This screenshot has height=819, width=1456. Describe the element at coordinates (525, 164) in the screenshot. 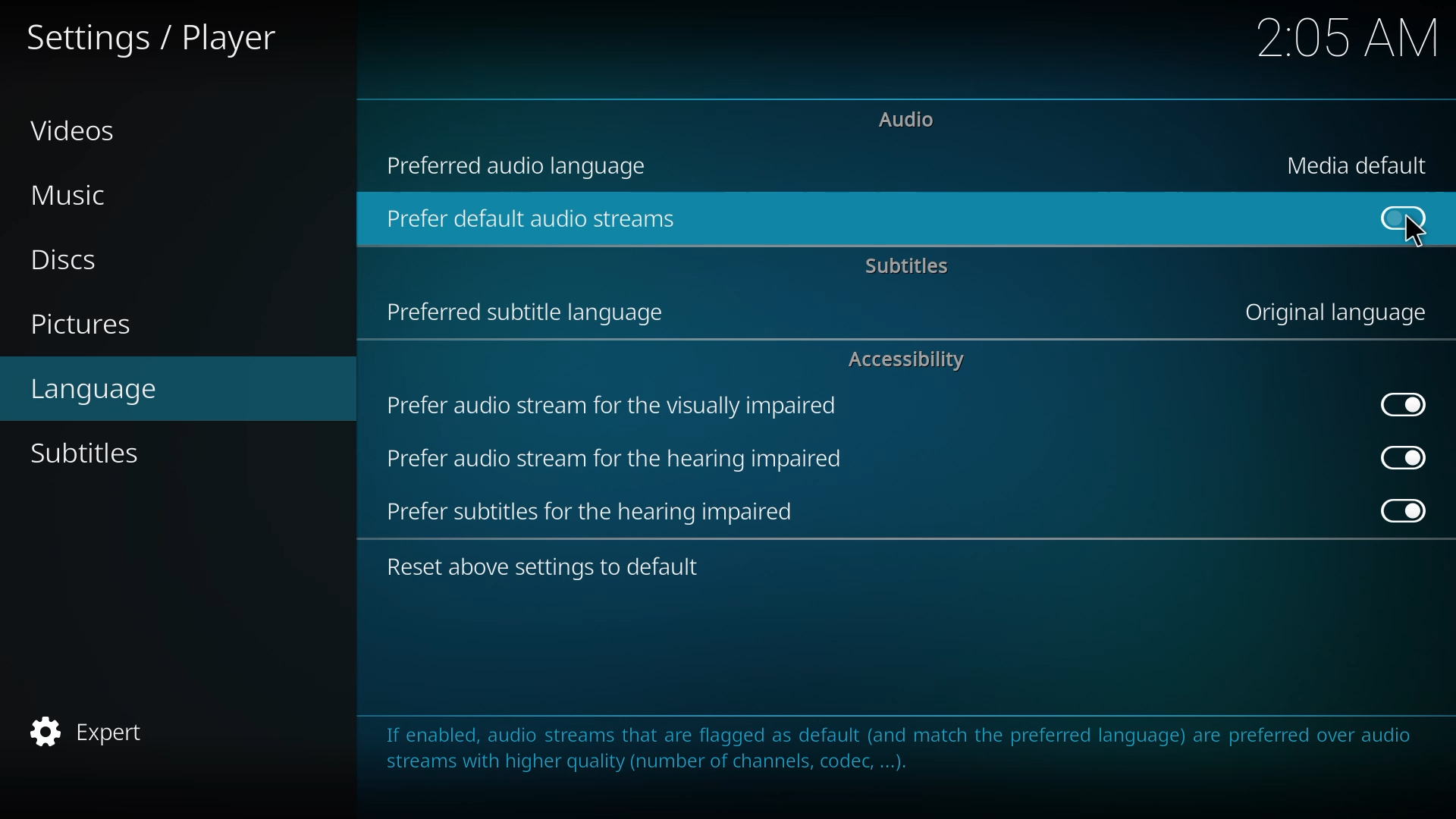

I see `preferred audio language` at that location.